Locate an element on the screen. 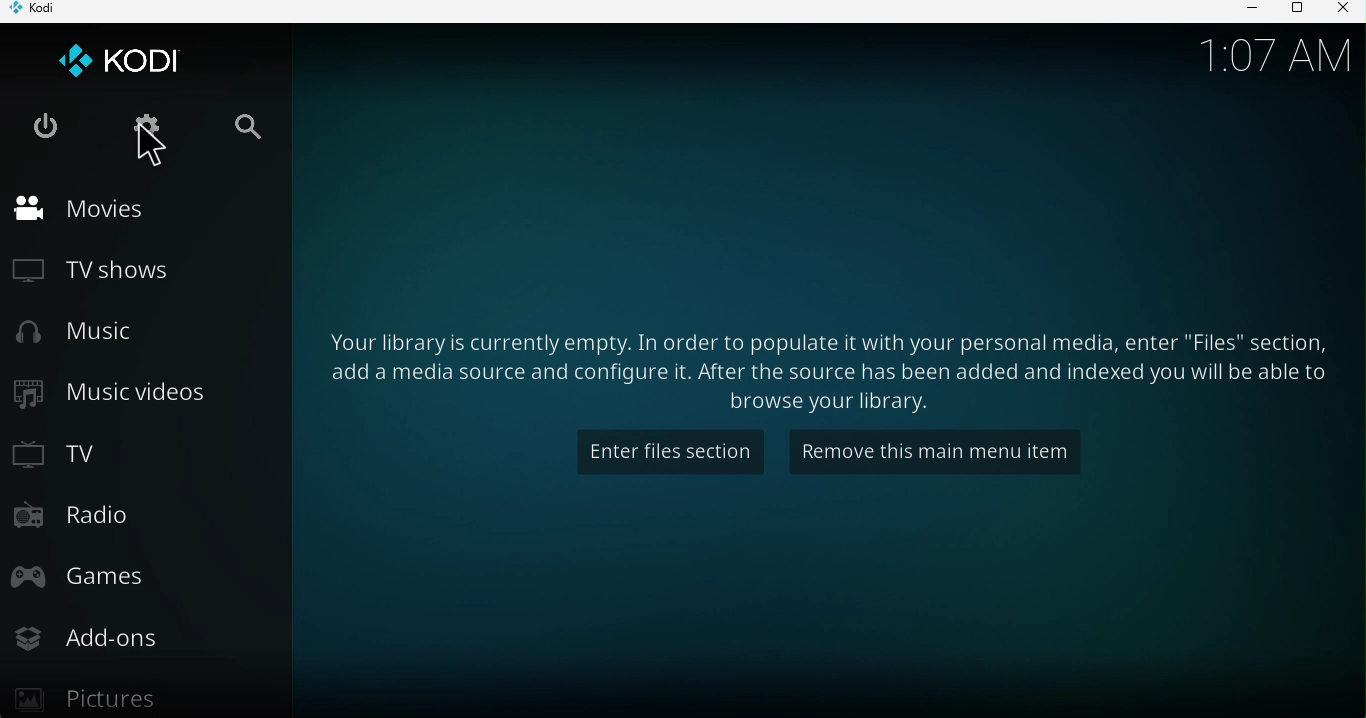 The height and width of the screenshot is (718, 1366). Radio is located at coordinates (91, 513).